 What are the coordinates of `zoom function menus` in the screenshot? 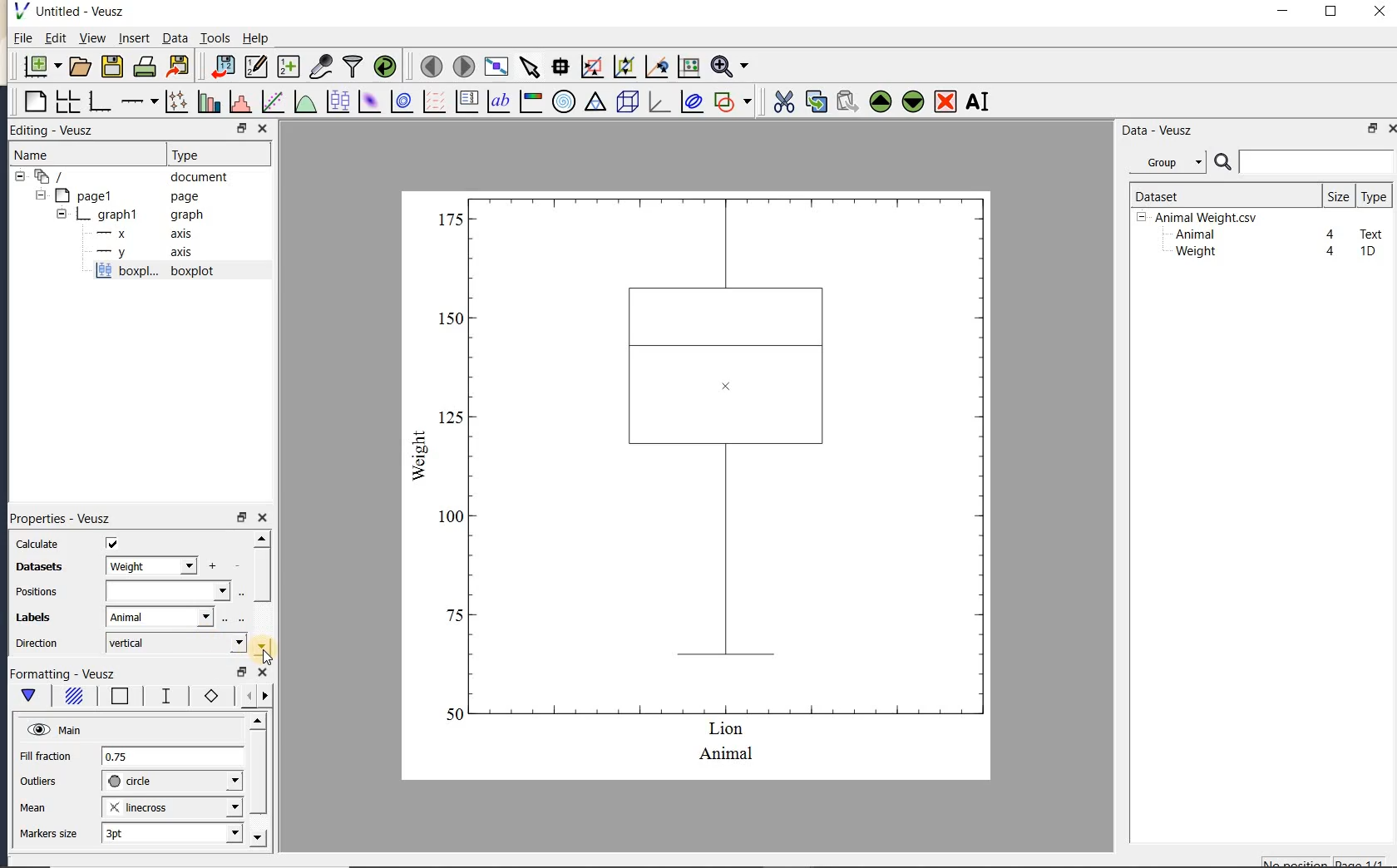 It's located at (729, 67).